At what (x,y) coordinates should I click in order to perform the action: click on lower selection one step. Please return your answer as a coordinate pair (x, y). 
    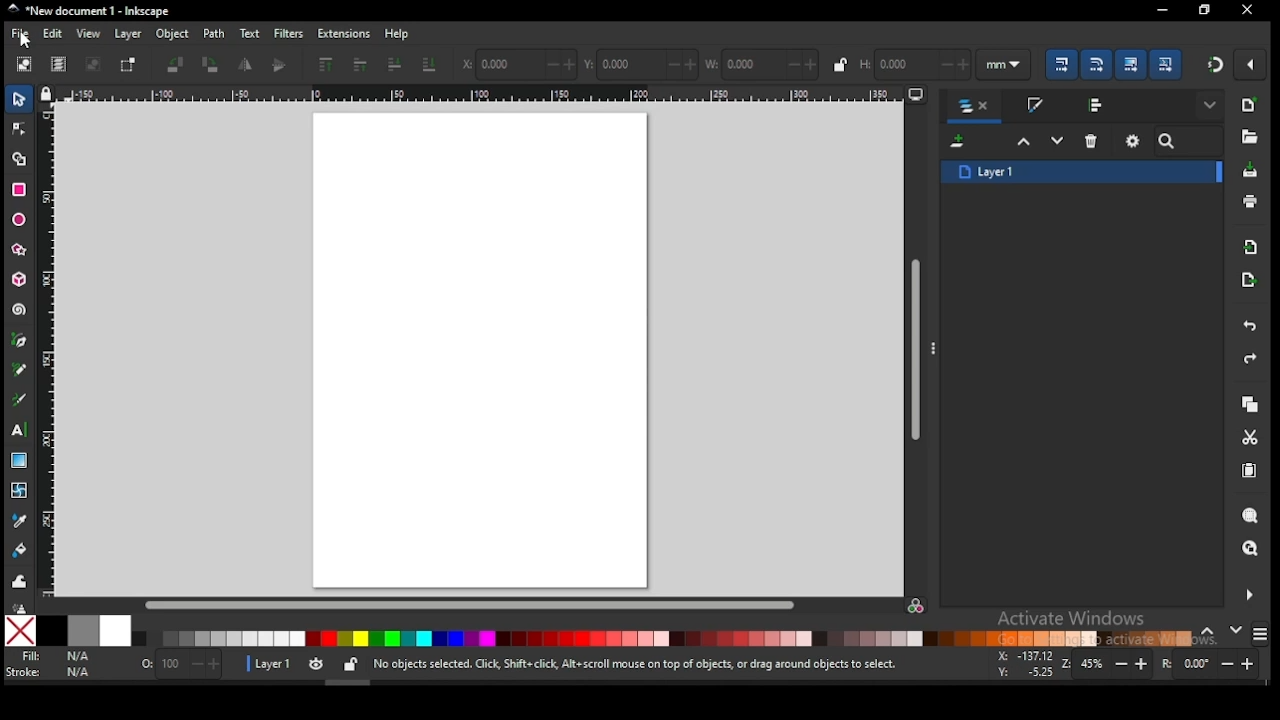
    Looking at the image, I should click on (1057, 141).